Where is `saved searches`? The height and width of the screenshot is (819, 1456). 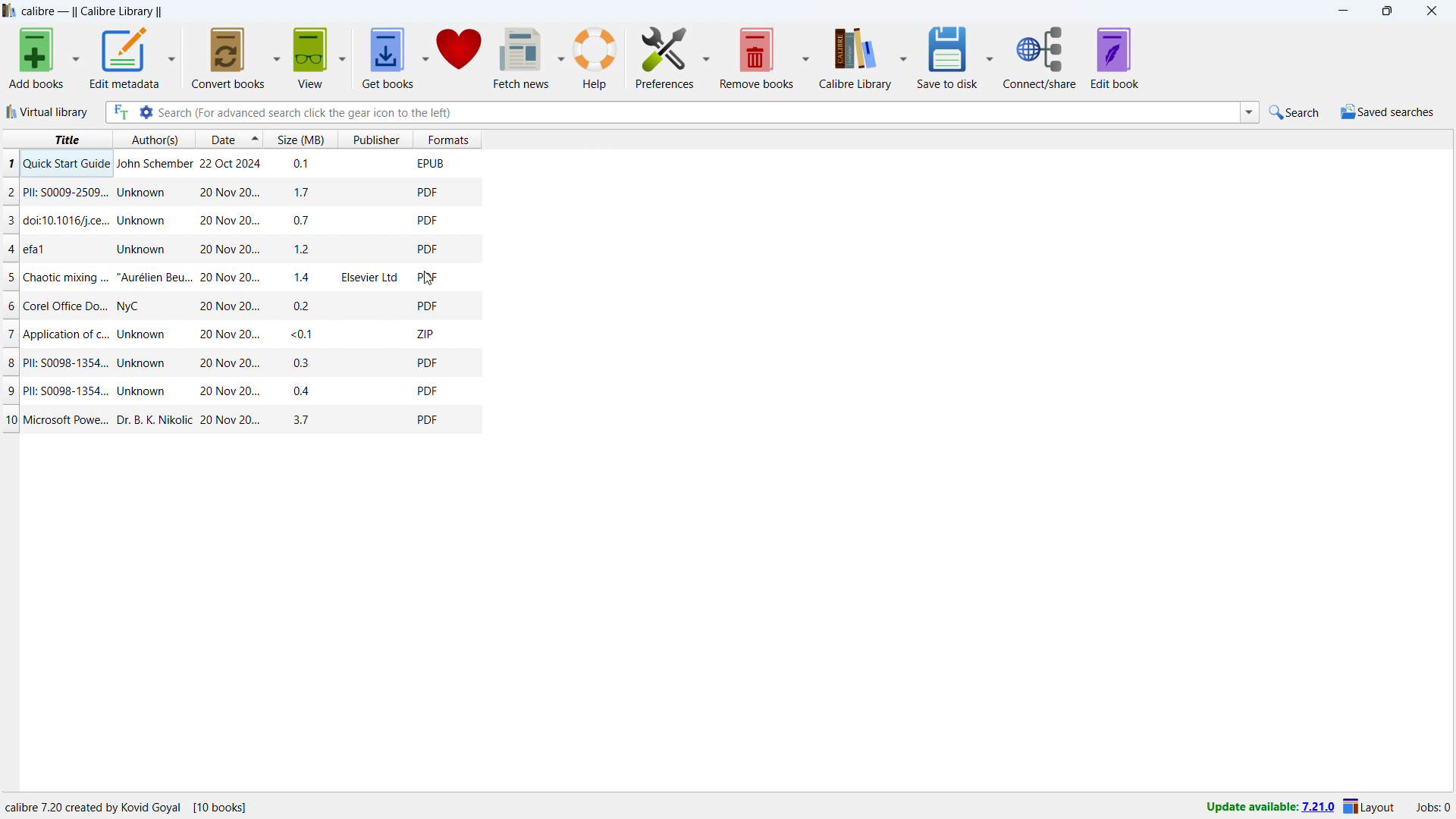
saved searches is located at coordinates (1387, 112).